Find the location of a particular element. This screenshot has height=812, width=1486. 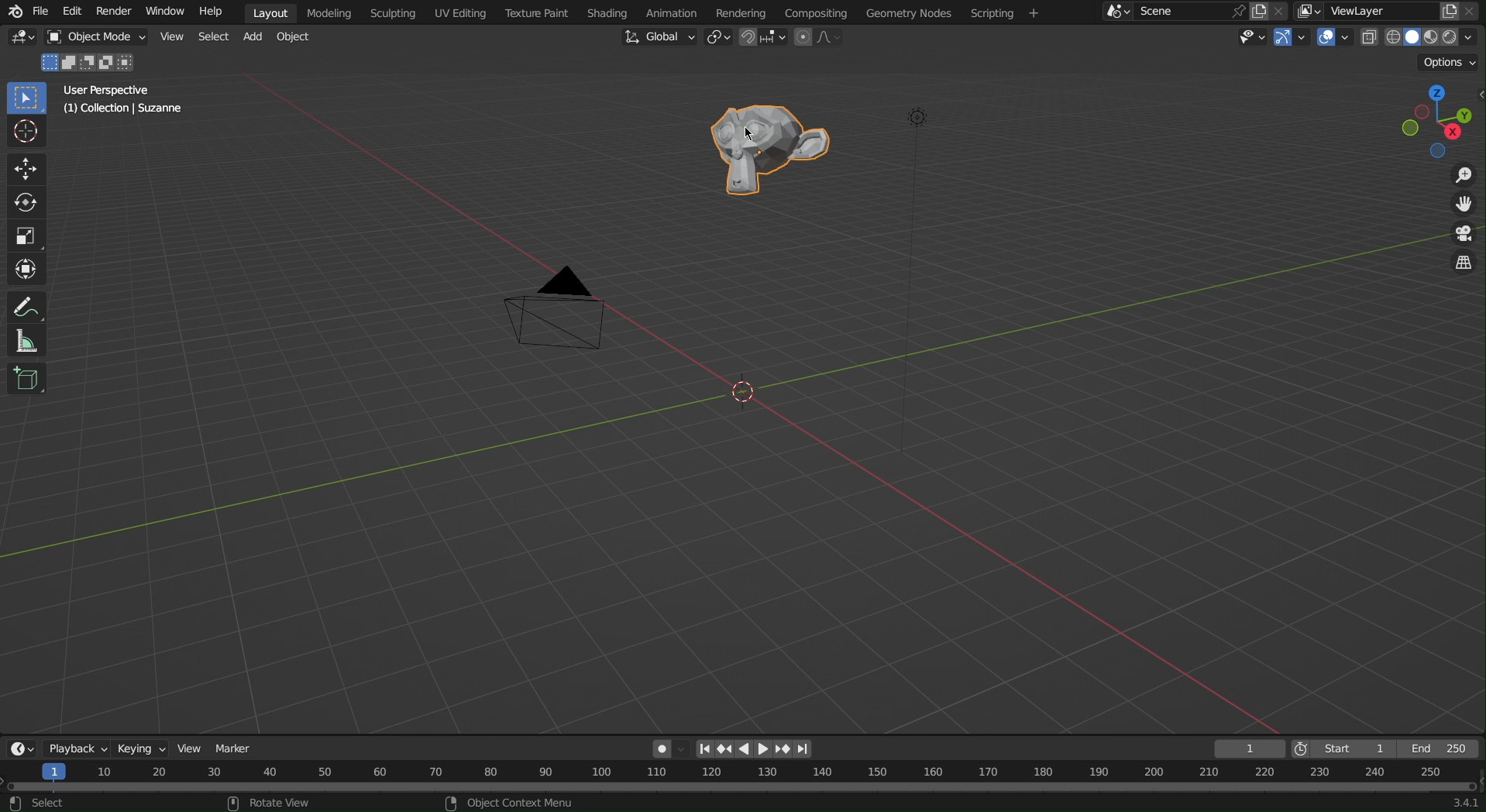

Camera view is located at coordinates (1463, 235).